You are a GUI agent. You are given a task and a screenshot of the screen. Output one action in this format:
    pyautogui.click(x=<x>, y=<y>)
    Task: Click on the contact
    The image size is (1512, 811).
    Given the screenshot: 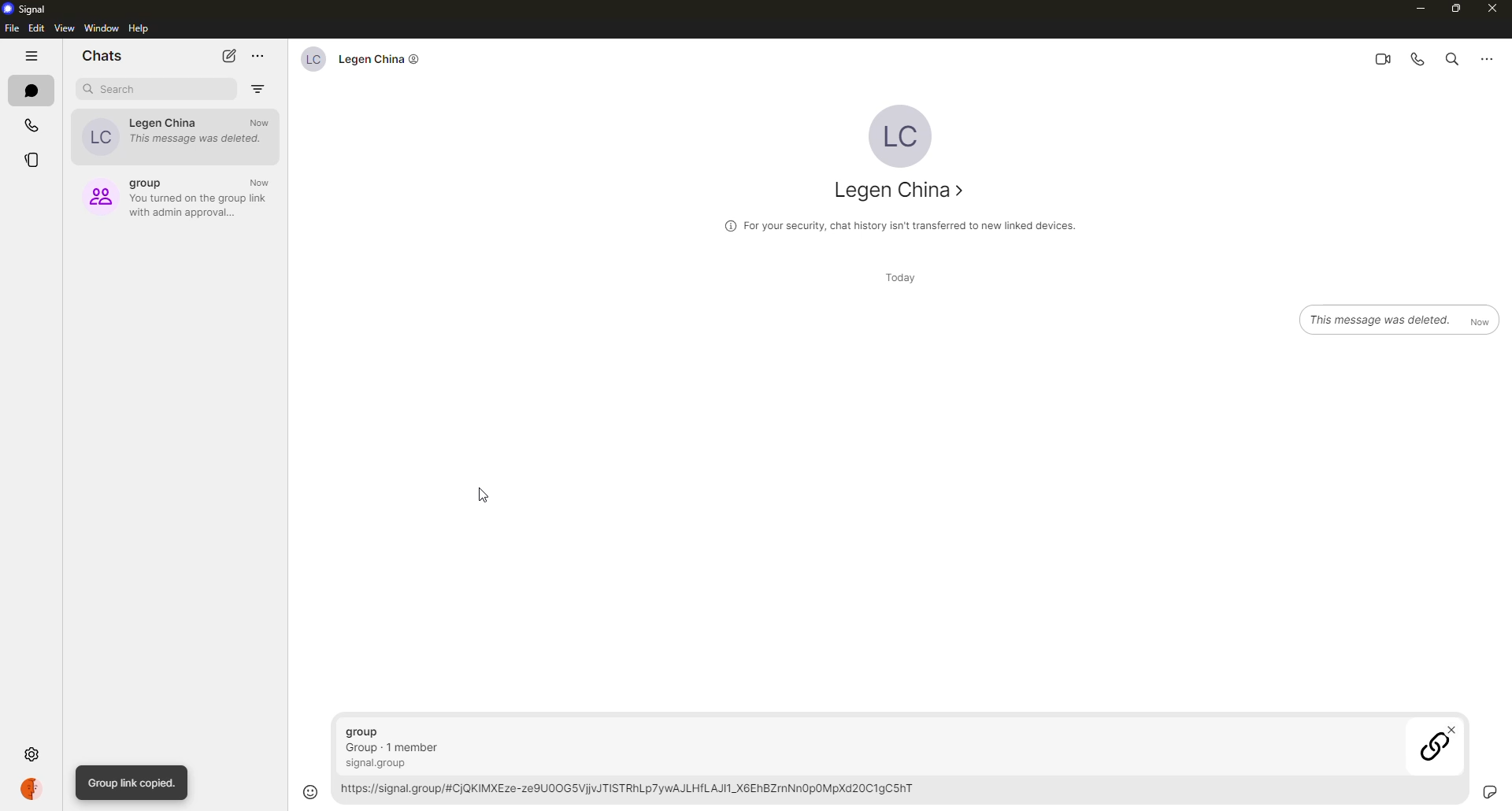 What is the action you would take?
    pyautogui.click(x=903, y=192)
    